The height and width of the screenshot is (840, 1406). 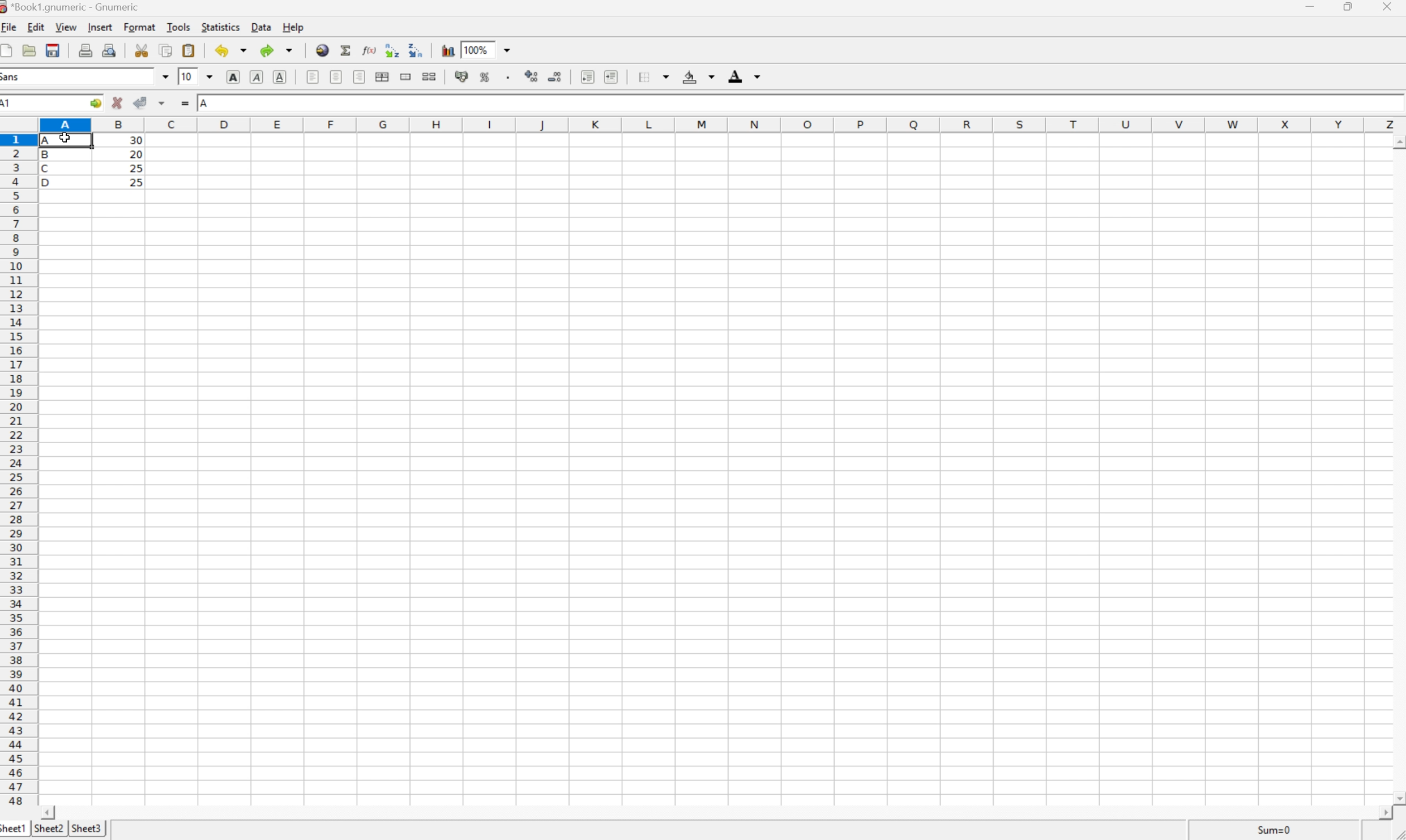 What do you see at coordinates (337, 78) in the screenshot?
I see `Center horizontally` at bounding box center [337, 78].